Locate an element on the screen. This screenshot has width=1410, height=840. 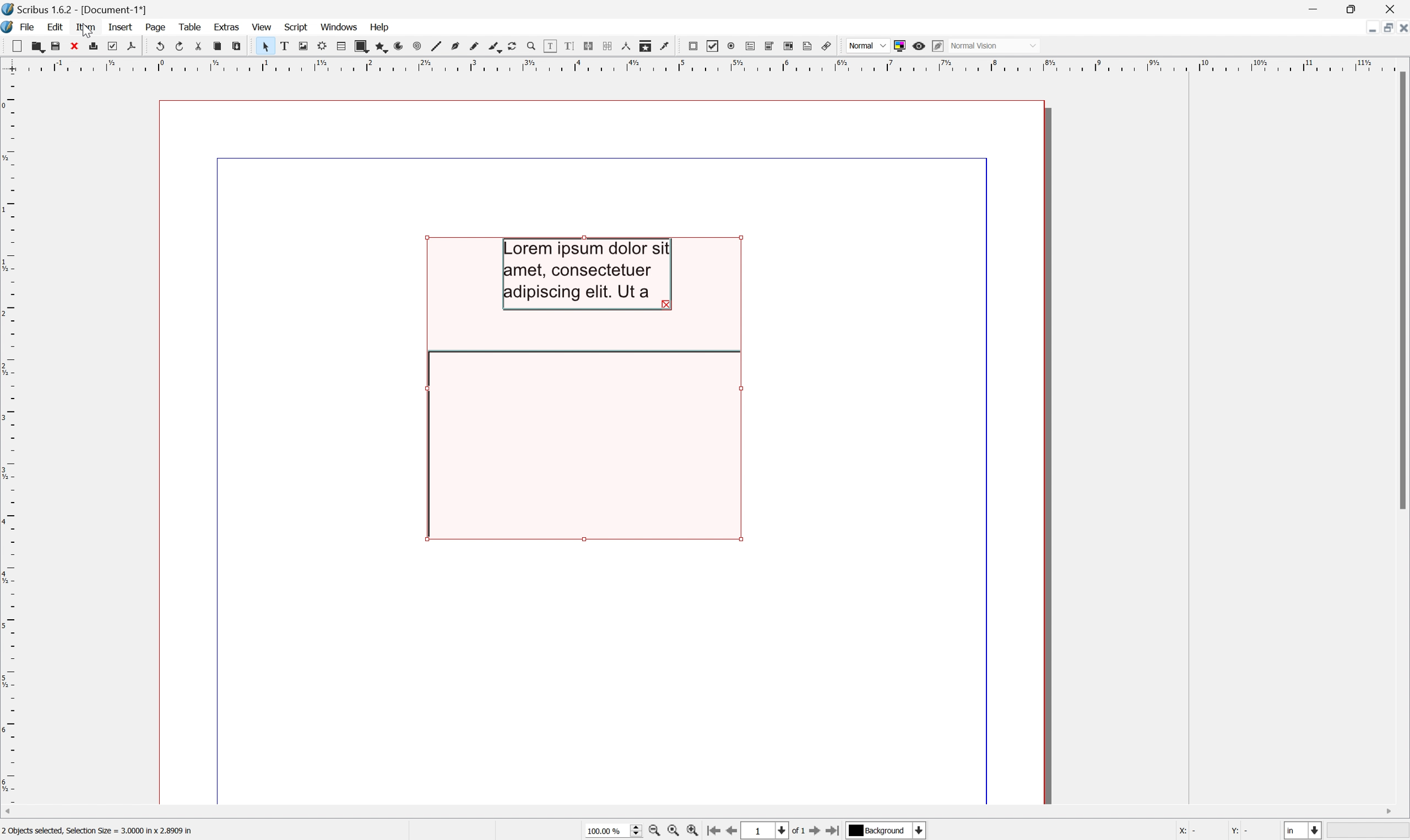
Go to the next page is located at coordinates (815, 830).